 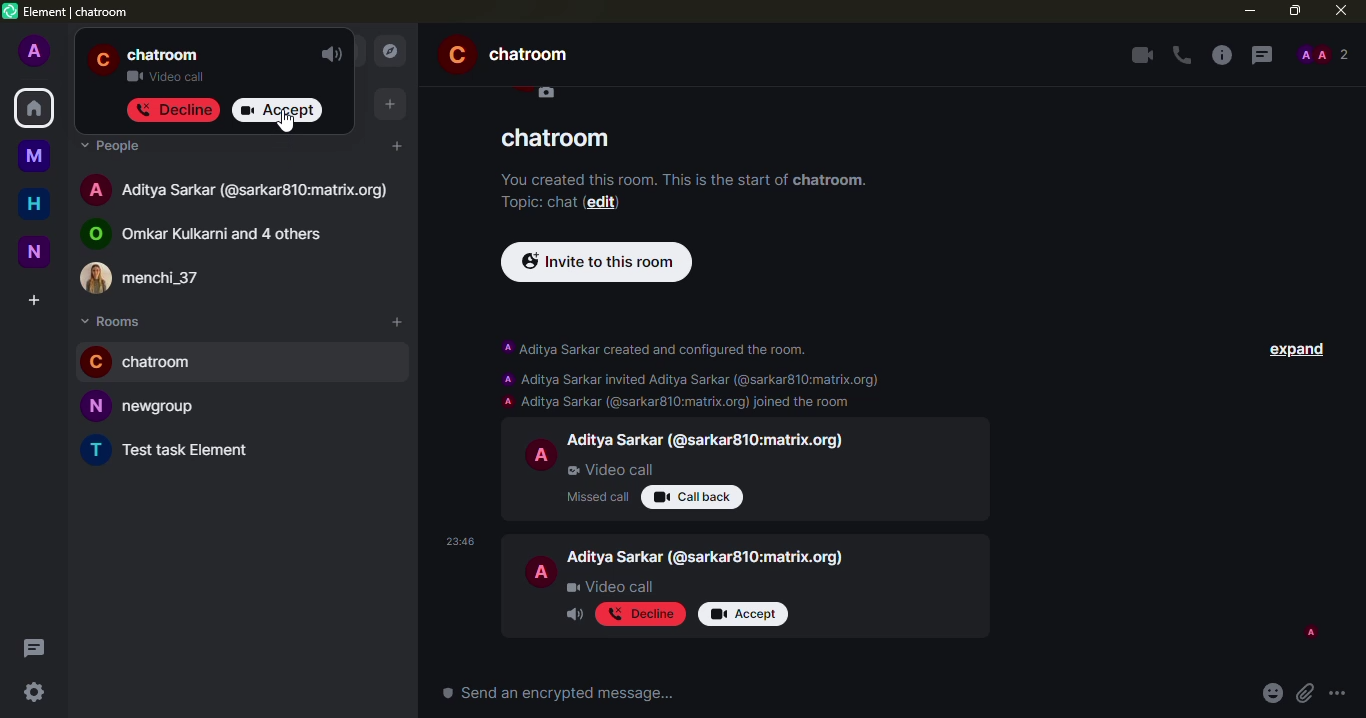 What do you see at coordinates (610, 470) in the screenshot?
I see `video call` at bounding box center [610, 470].